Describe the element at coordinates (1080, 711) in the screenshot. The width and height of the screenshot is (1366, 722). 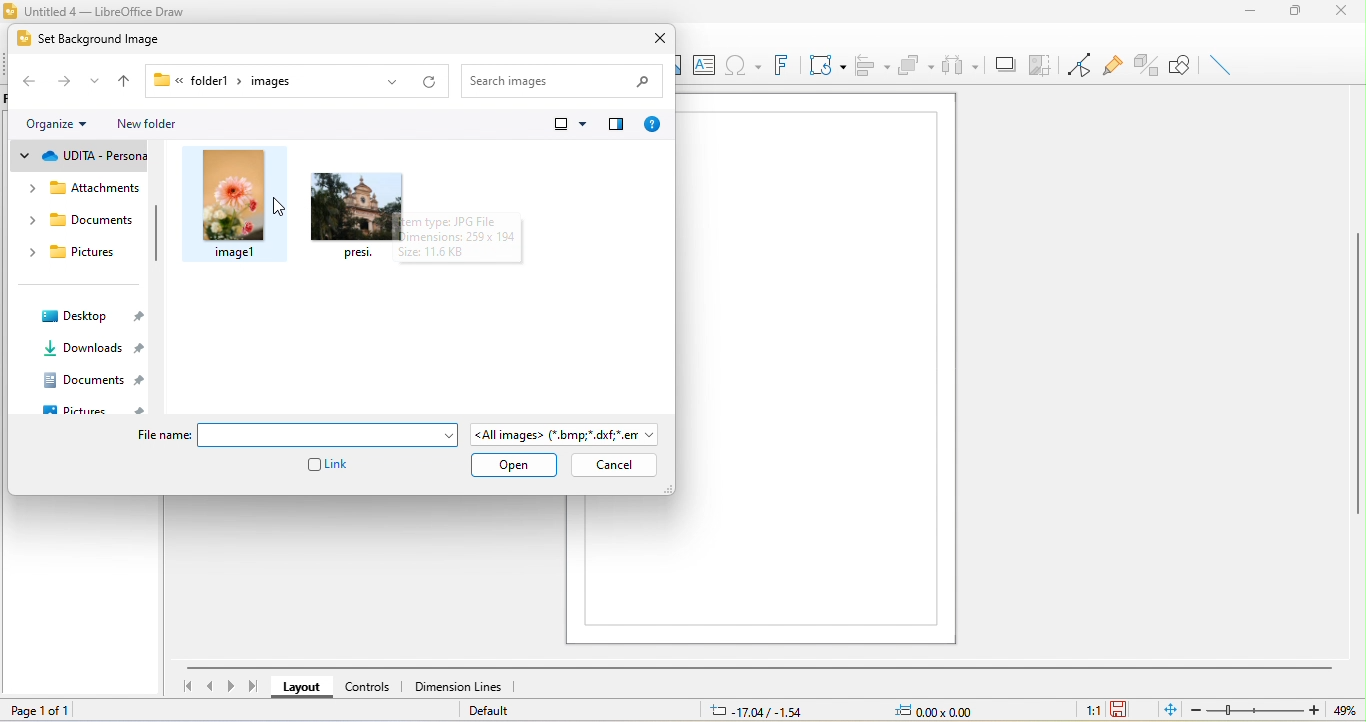
I see `1:1` at that location.